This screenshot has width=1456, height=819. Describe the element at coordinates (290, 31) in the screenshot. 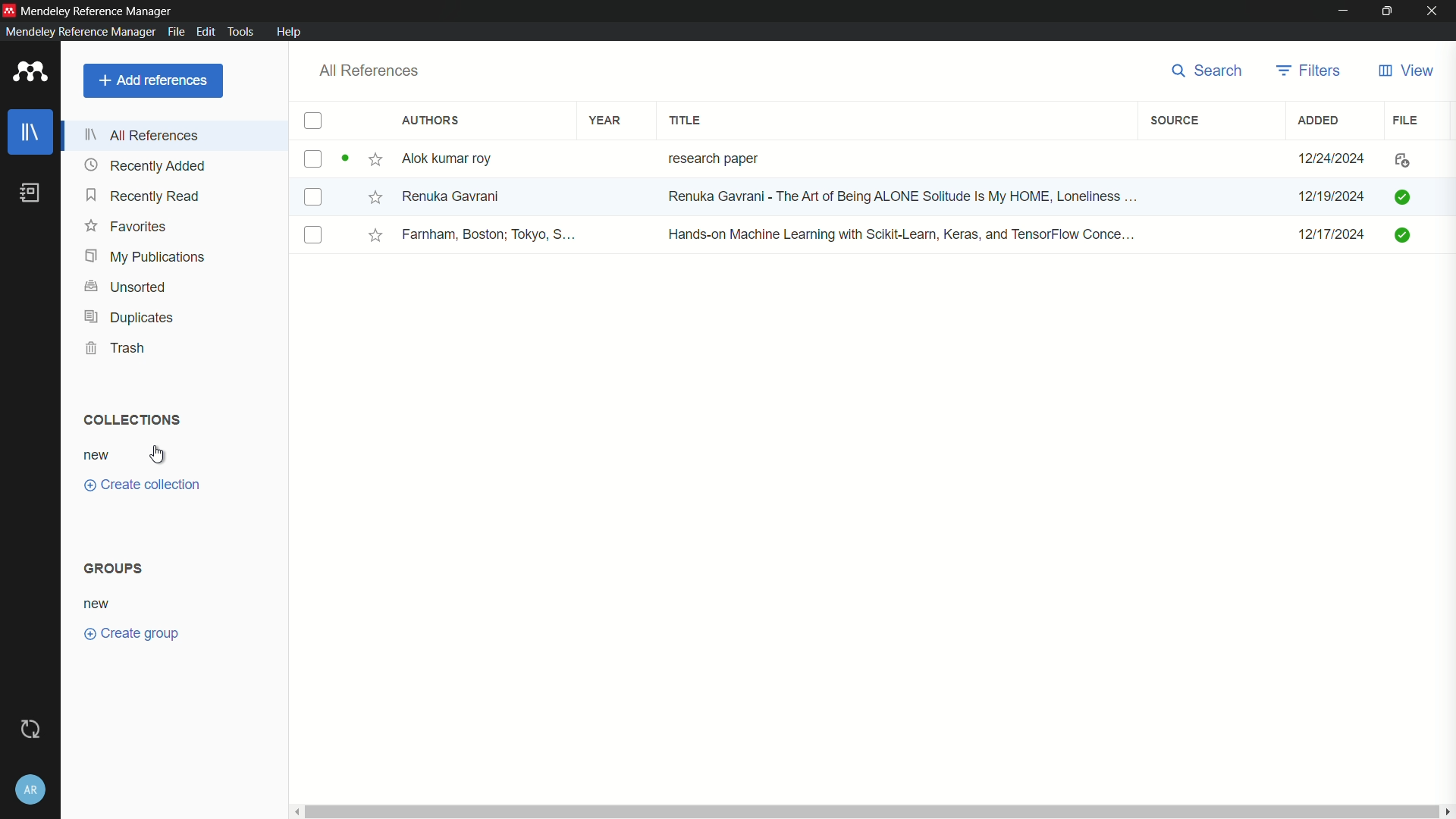

I see `help menu` at that location.